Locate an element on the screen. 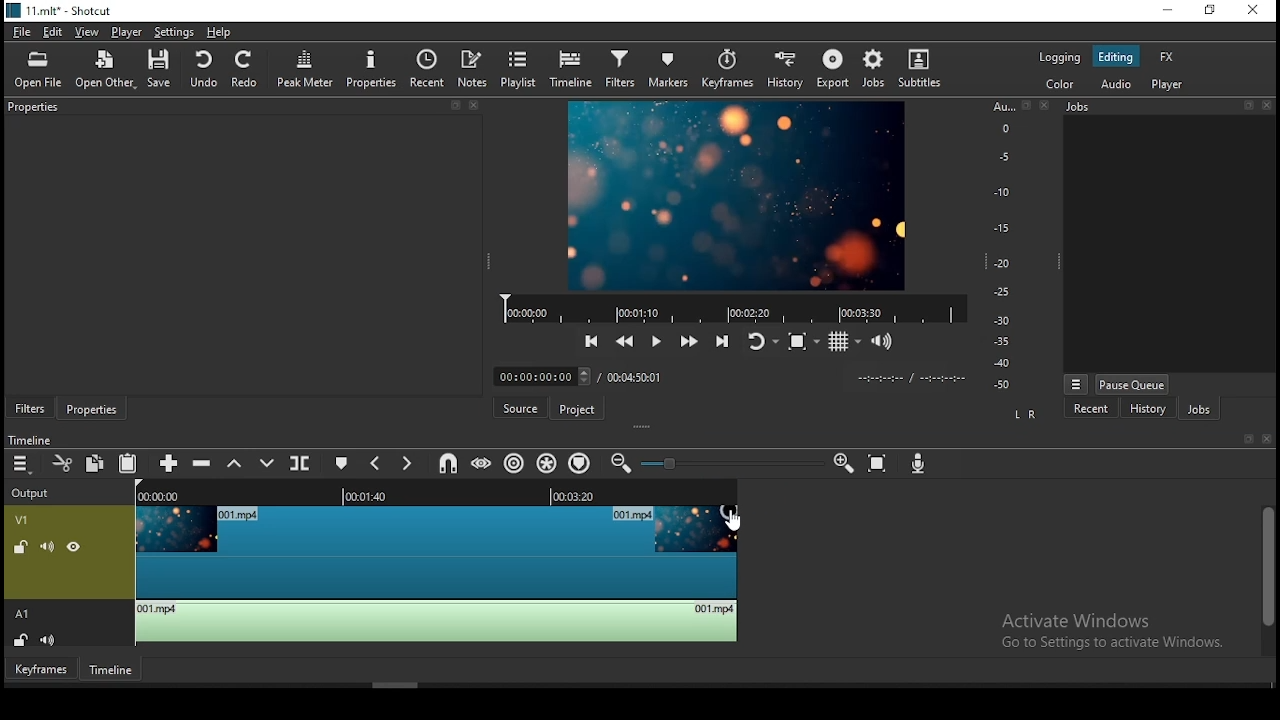  pause queue is located at coordinates (1133, 381).